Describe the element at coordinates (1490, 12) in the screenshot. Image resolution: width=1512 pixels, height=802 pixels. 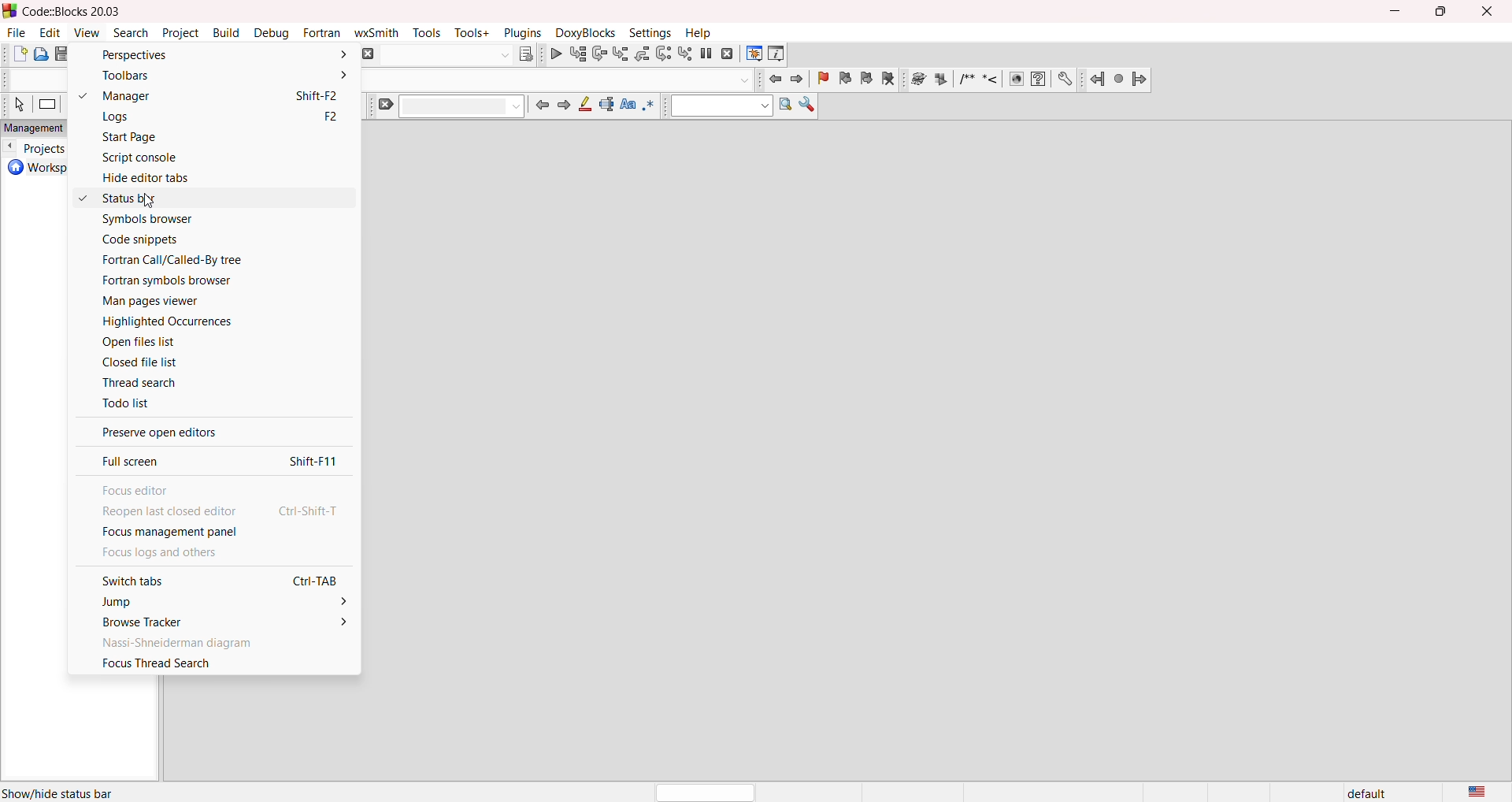
I see `close` at that location.